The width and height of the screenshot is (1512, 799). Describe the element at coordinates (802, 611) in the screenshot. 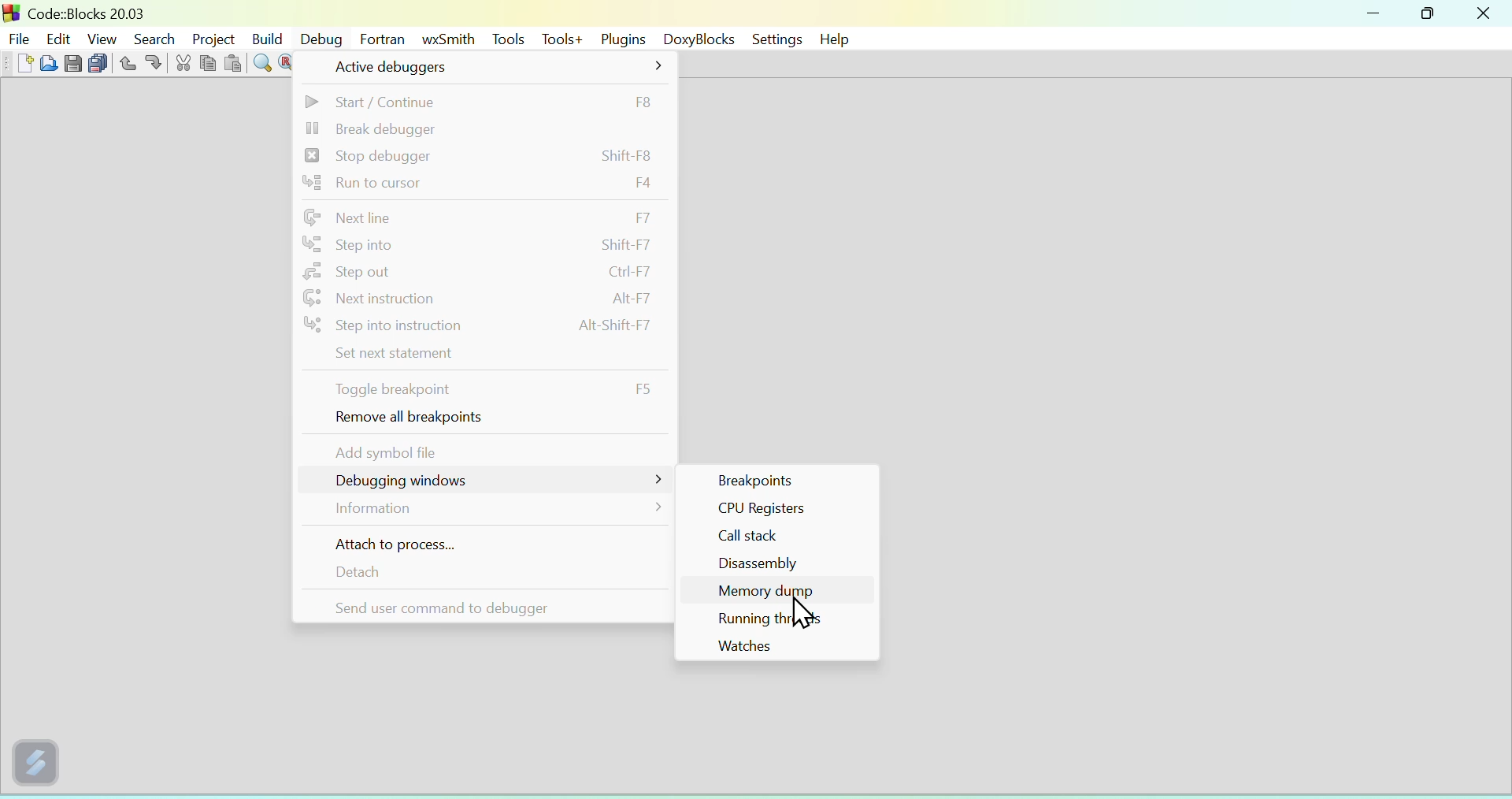

I see `cursor` at that location.